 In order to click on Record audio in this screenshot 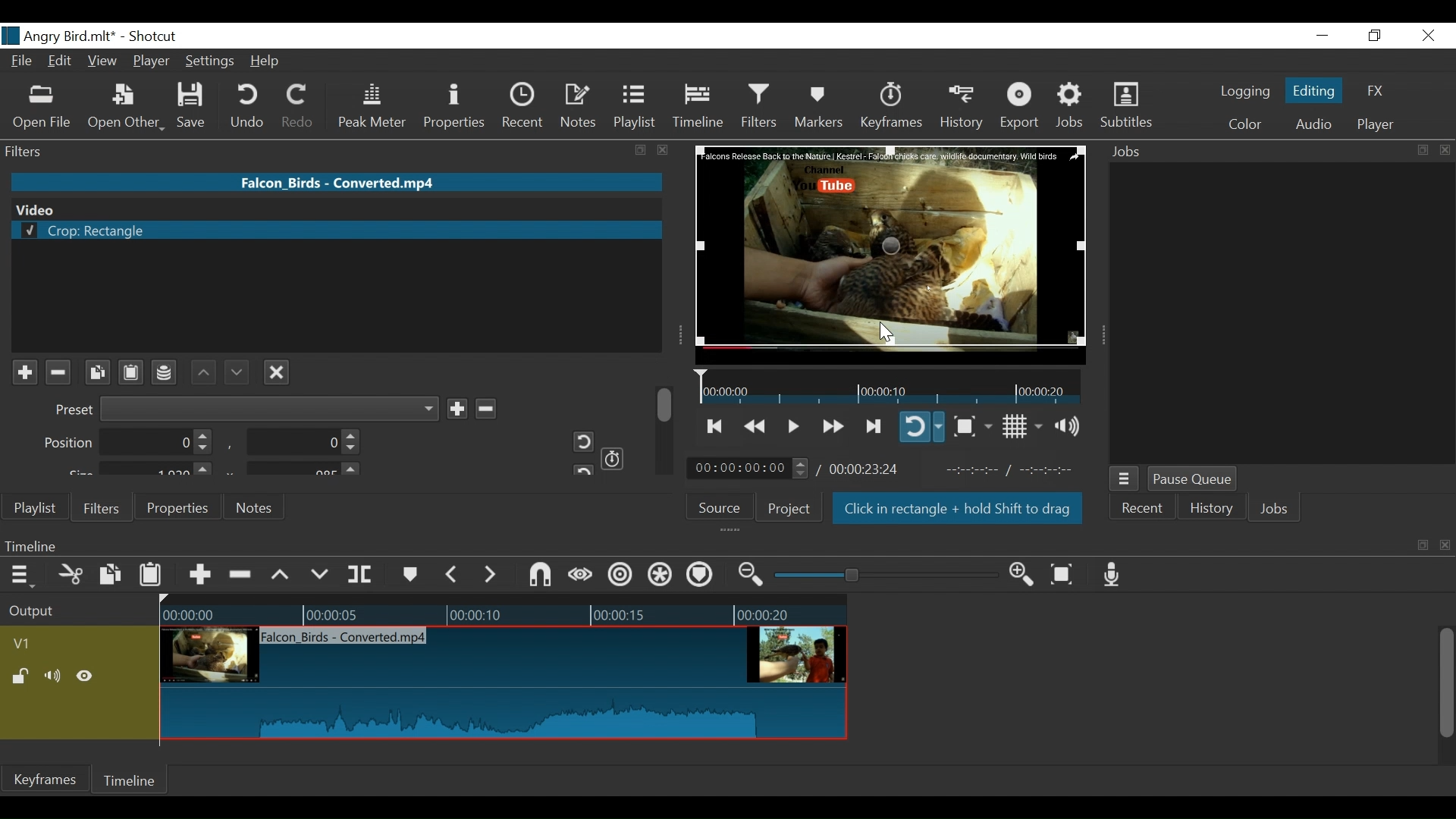, I will do `click(1112, 574)`.